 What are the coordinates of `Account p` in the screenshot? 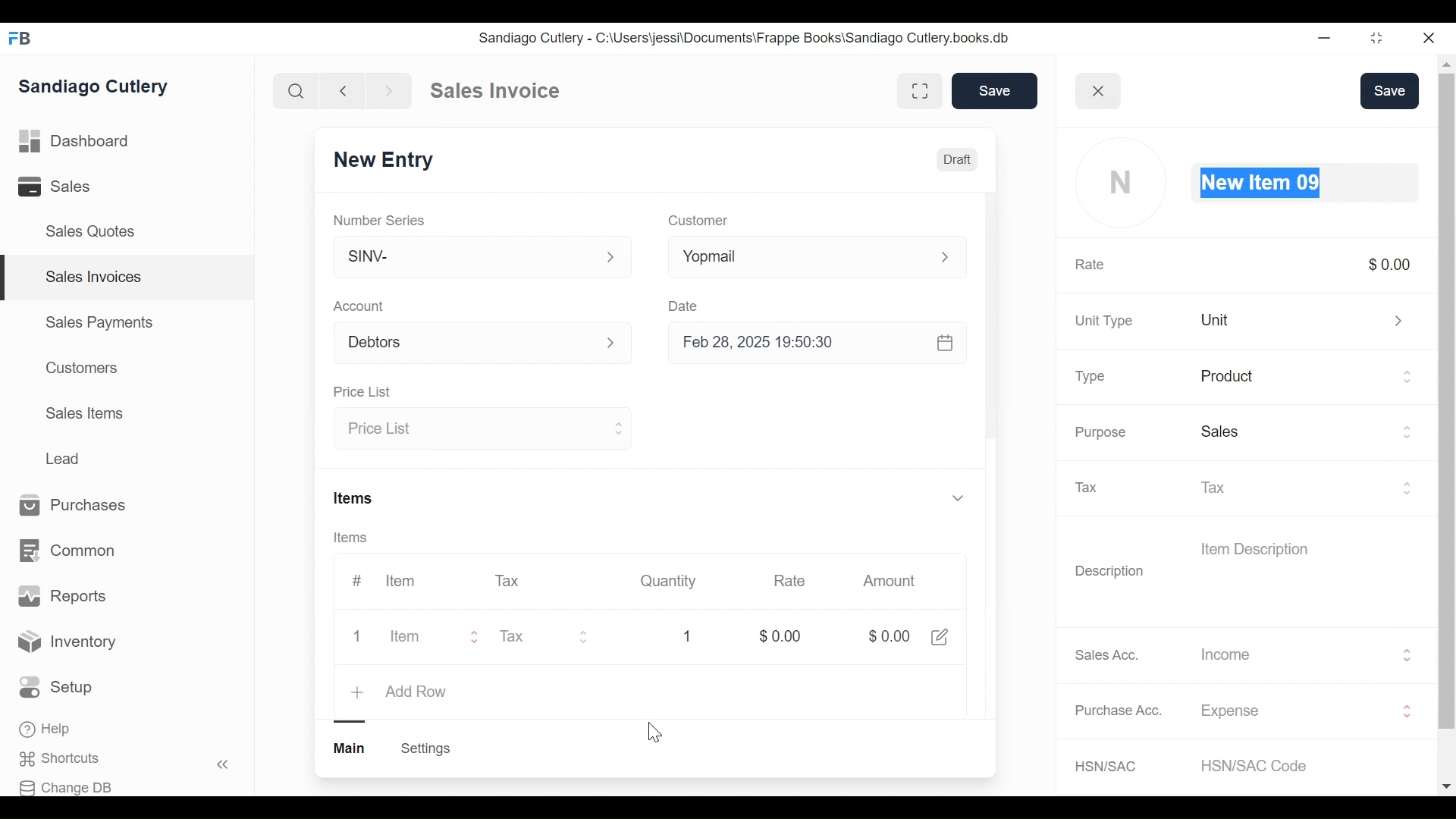 It's located at (484, 342).